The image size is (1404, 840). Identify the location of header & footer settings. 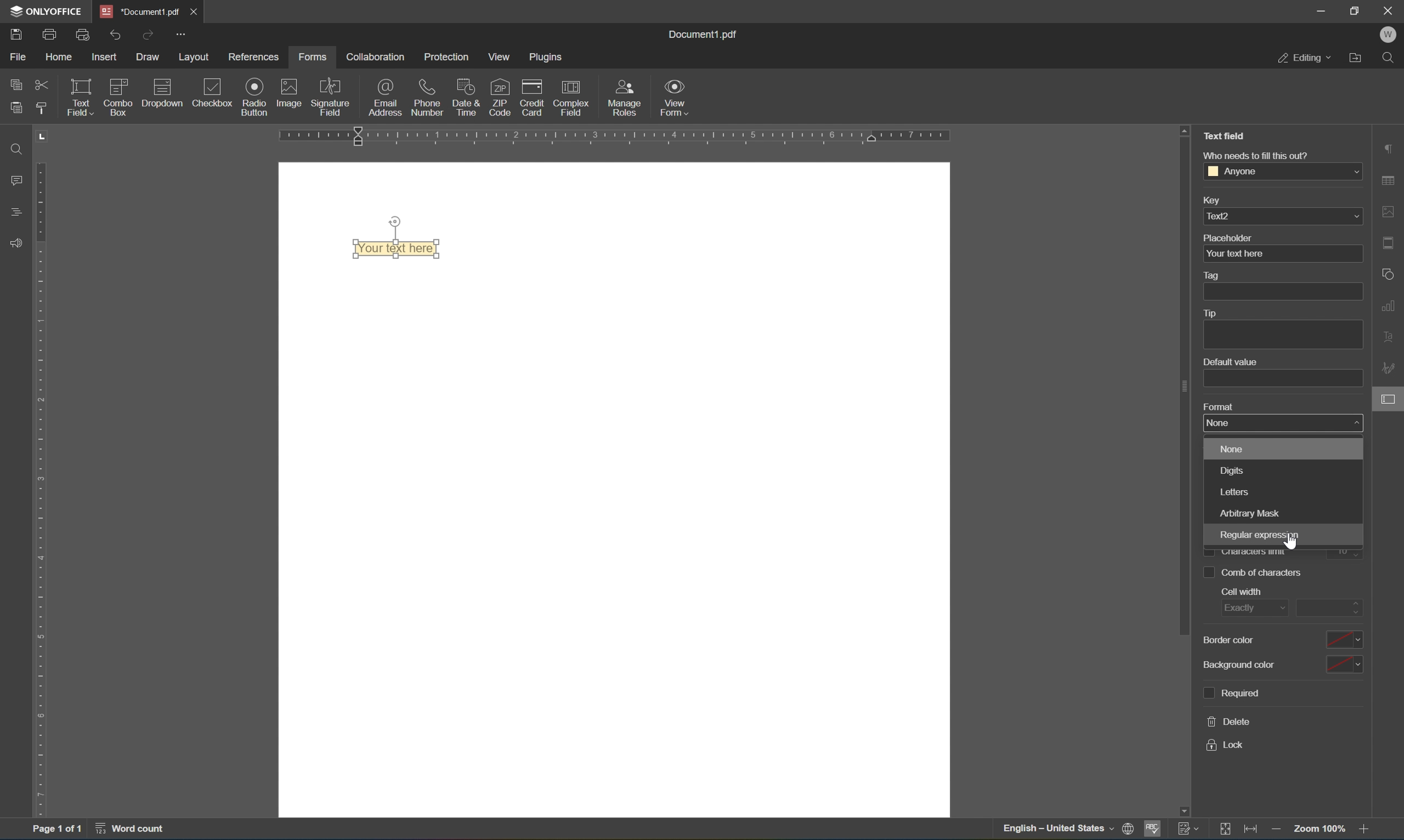
(1389, 244).